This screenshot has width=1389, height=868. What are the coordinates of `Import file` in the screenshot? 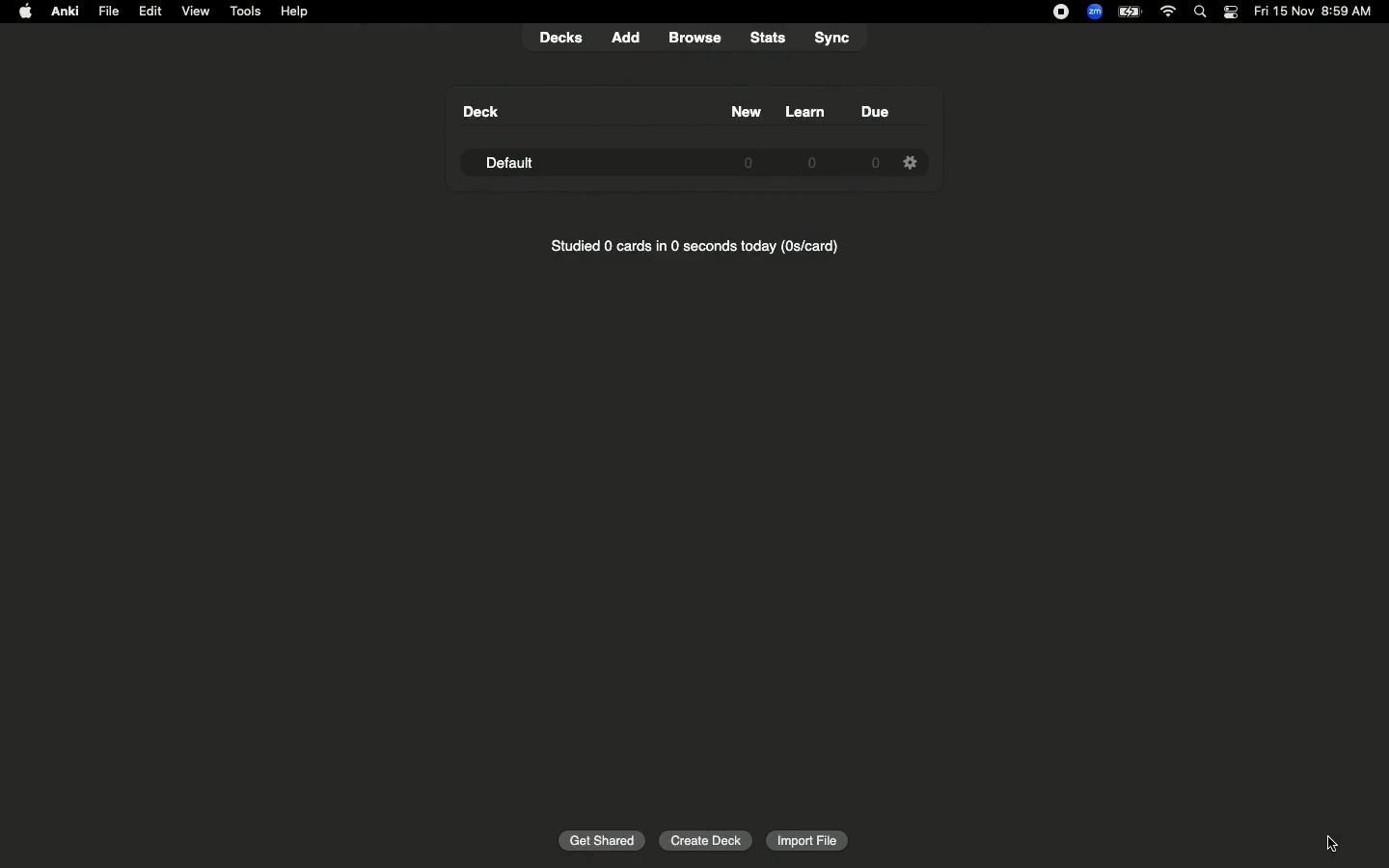 It's located at (809, 841).